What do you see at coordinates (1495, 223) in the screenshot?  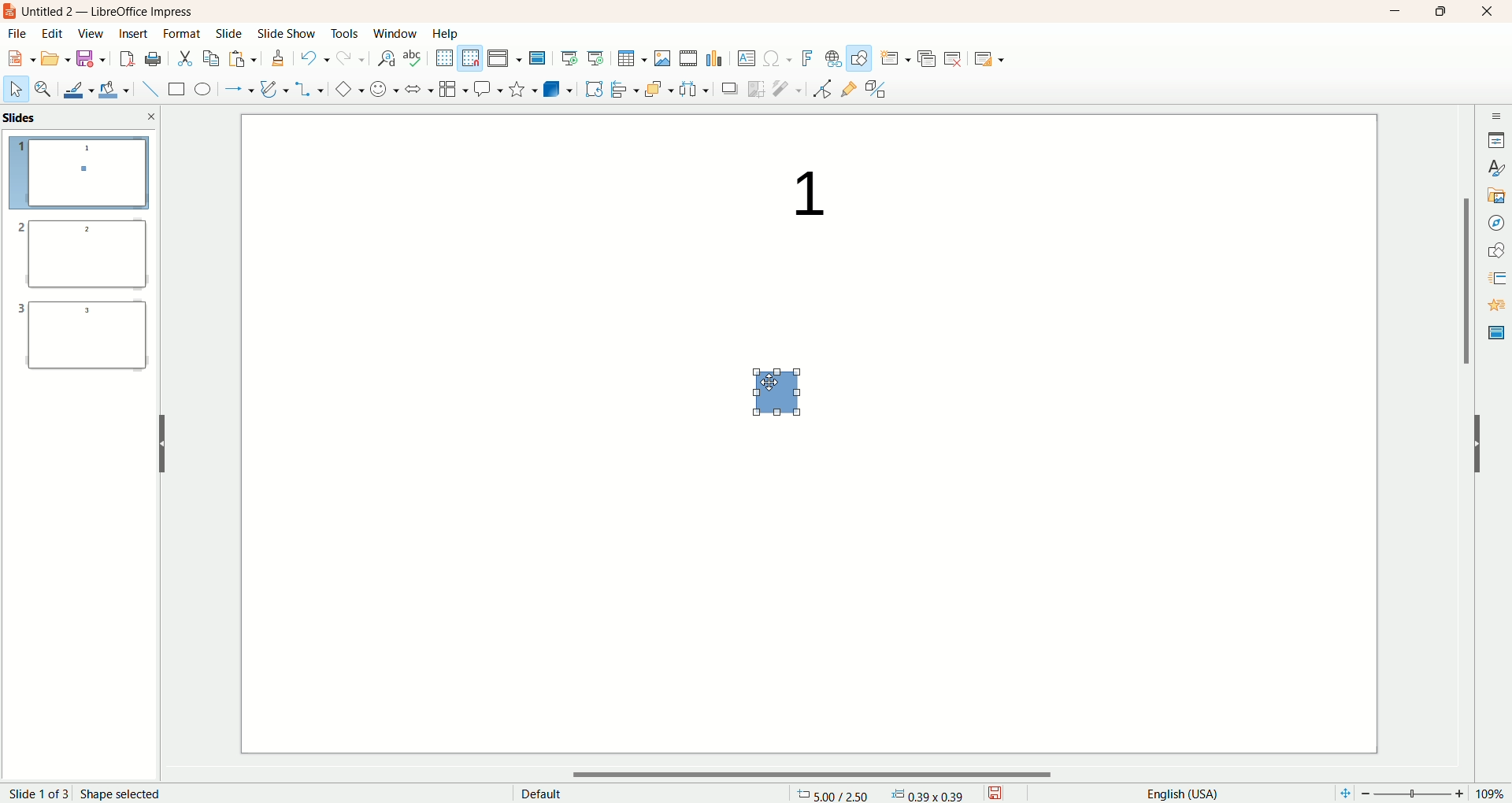 I see `navigator` at bounding box center [1495, 223].